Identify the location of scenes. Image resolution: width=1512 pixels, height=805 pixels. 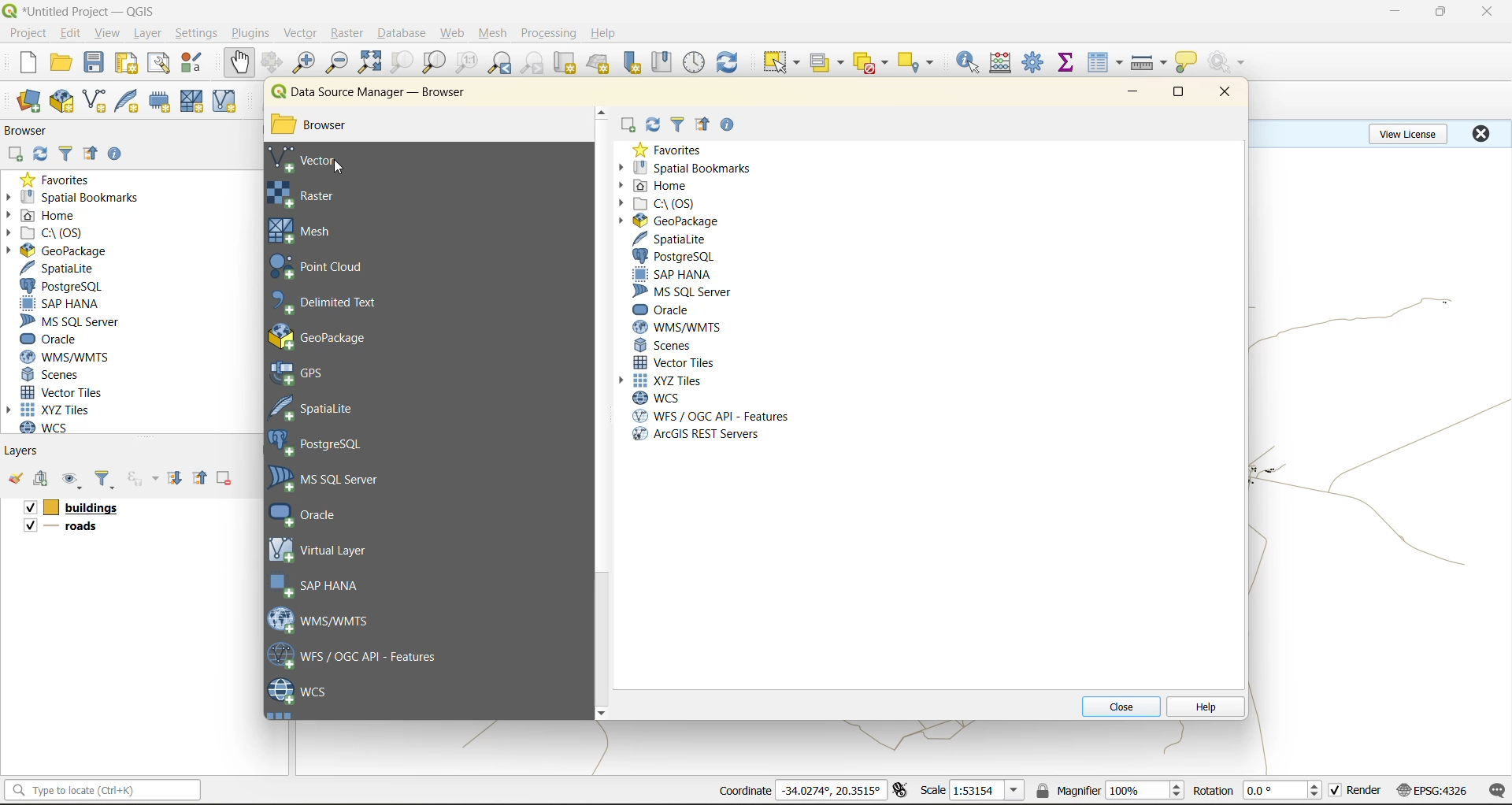
(665, 343).